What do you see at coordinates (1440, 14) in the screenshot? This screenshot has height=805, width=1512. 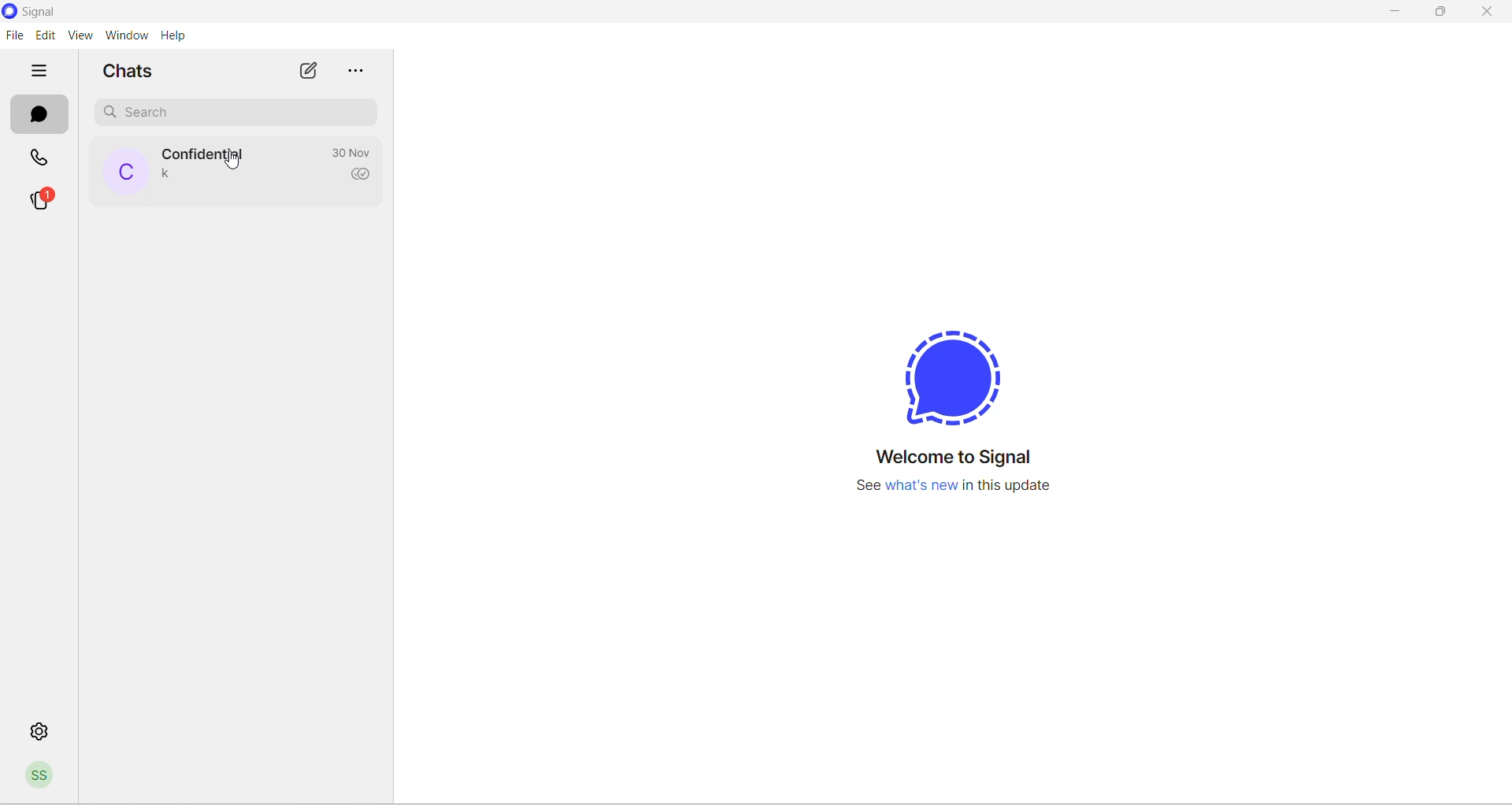 I see `maximize` at bounding box center [1440, 14].